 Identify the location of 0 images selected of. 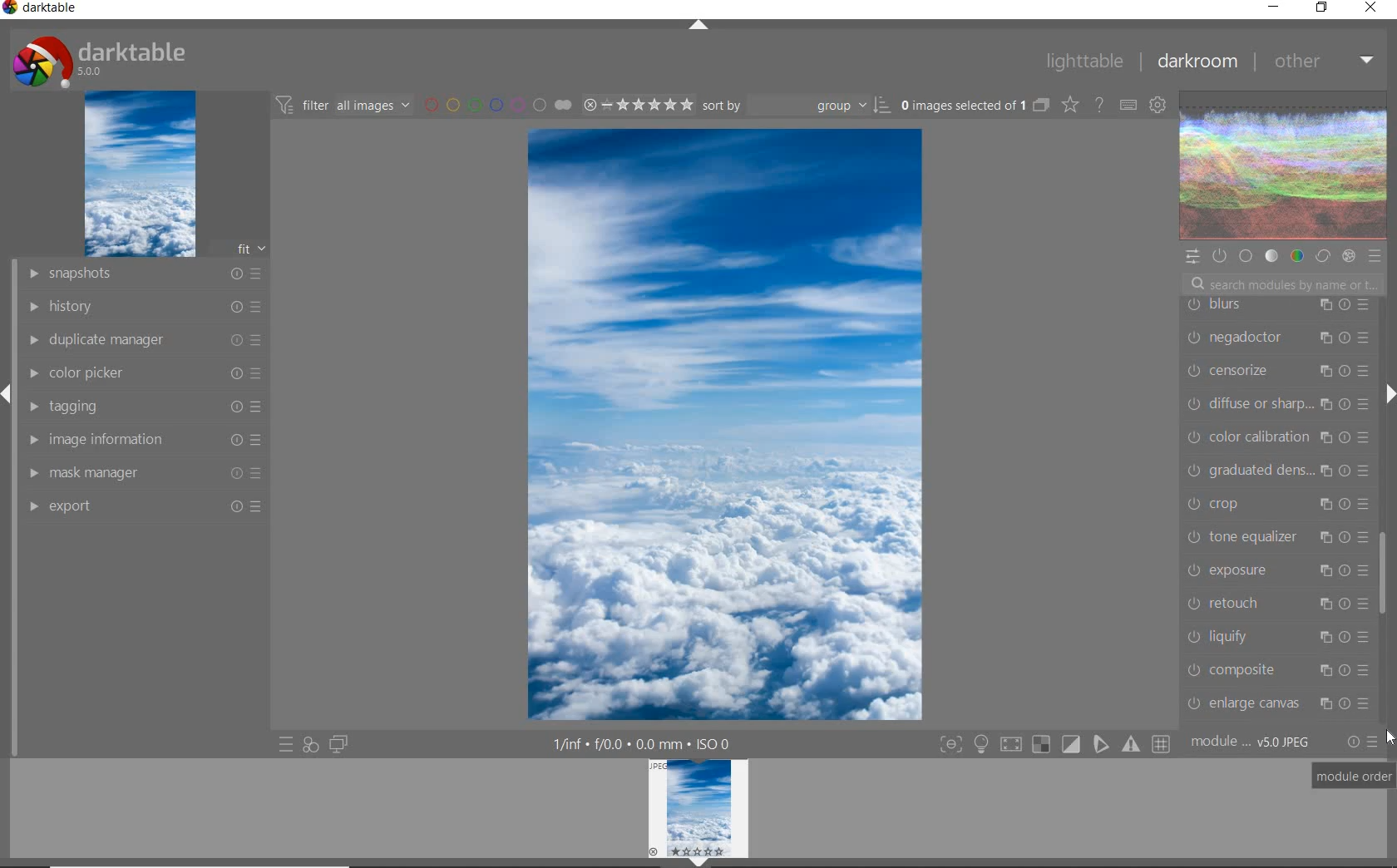
(961, 104).